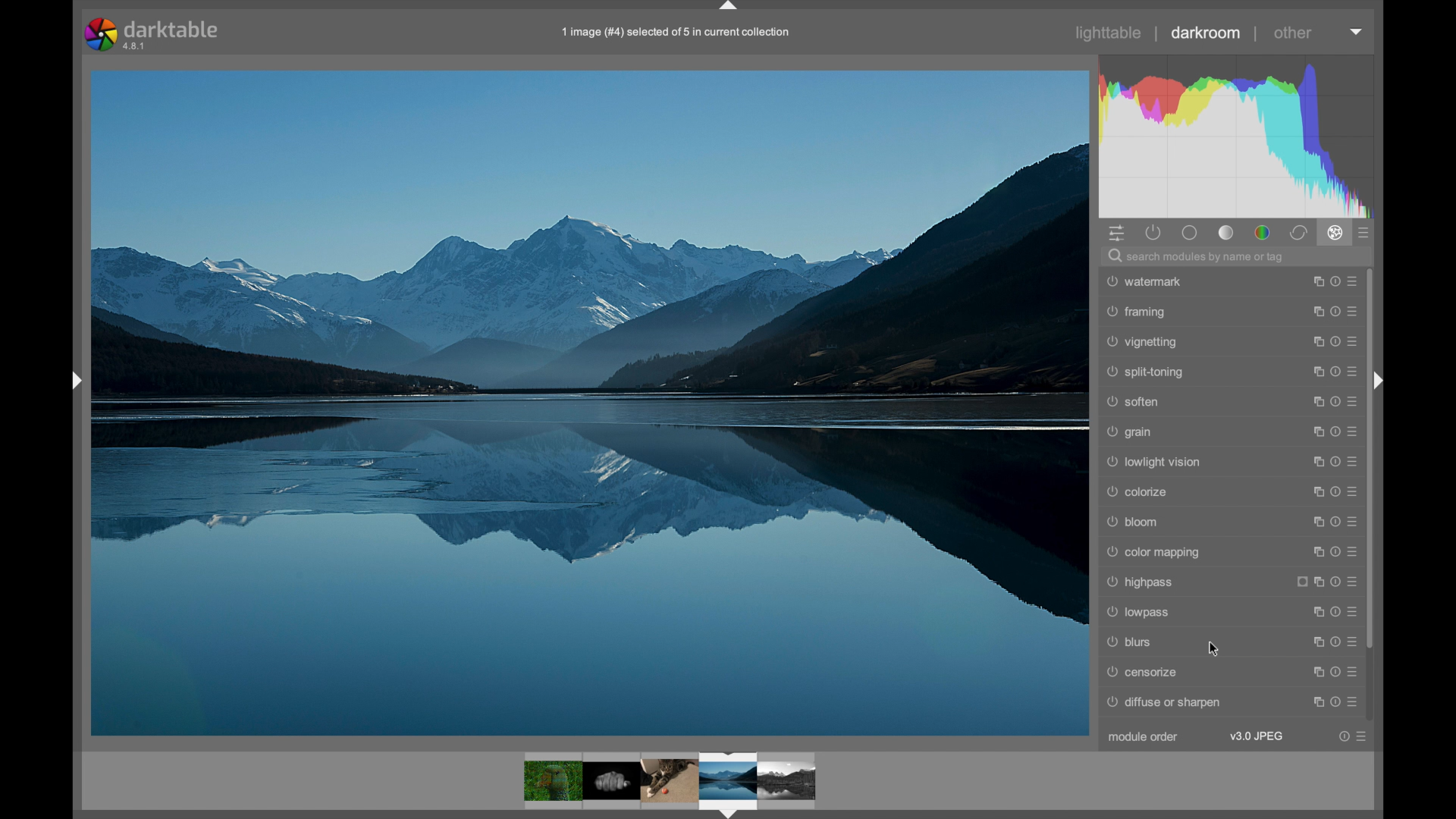  Describe the element at coordinates (1335, 281) in the screenshot. I see `help` at that location.